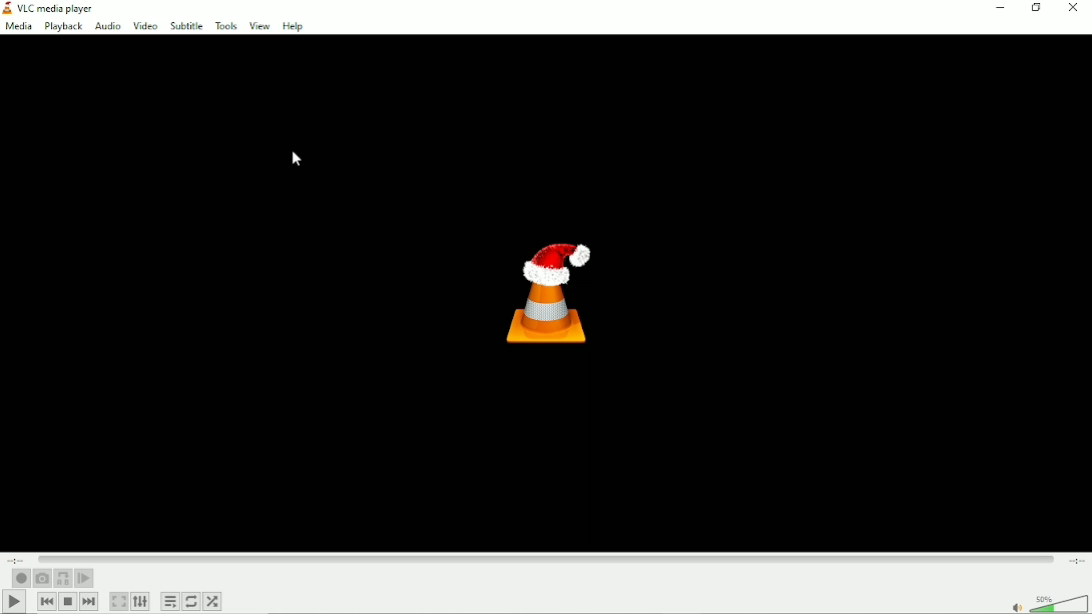 The image size is (1092, 614). What do you see at coordinates (85, 578) in the screenshot?
I see `Frame by frame` at bounding box center [85, 578].